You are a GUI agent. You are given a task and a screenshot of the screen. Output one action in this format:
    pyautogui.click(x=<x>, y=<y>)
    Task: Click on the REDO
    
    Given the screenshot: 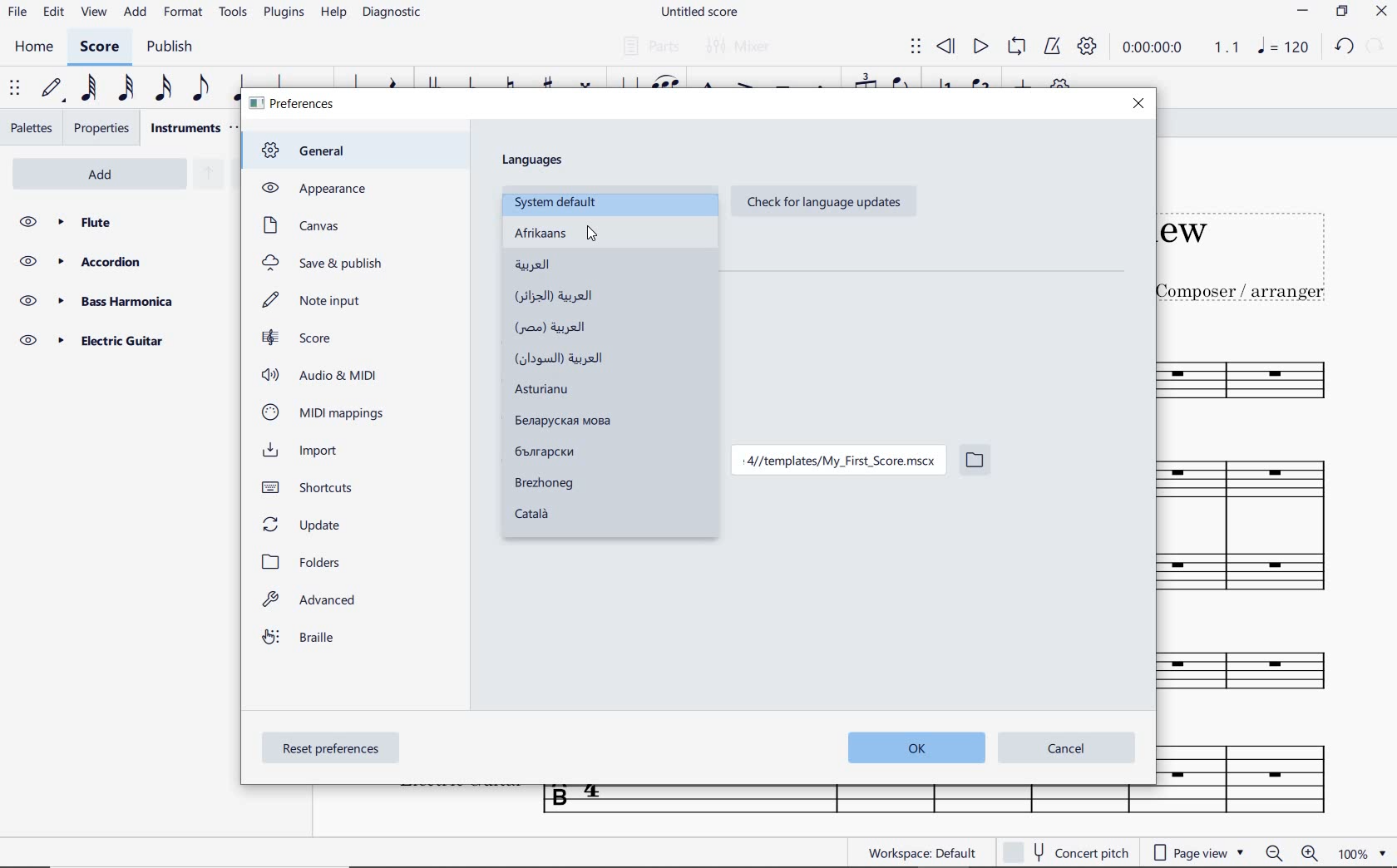 What is the action you would take?
    pyautogui.click(x=1375, y=47)
    